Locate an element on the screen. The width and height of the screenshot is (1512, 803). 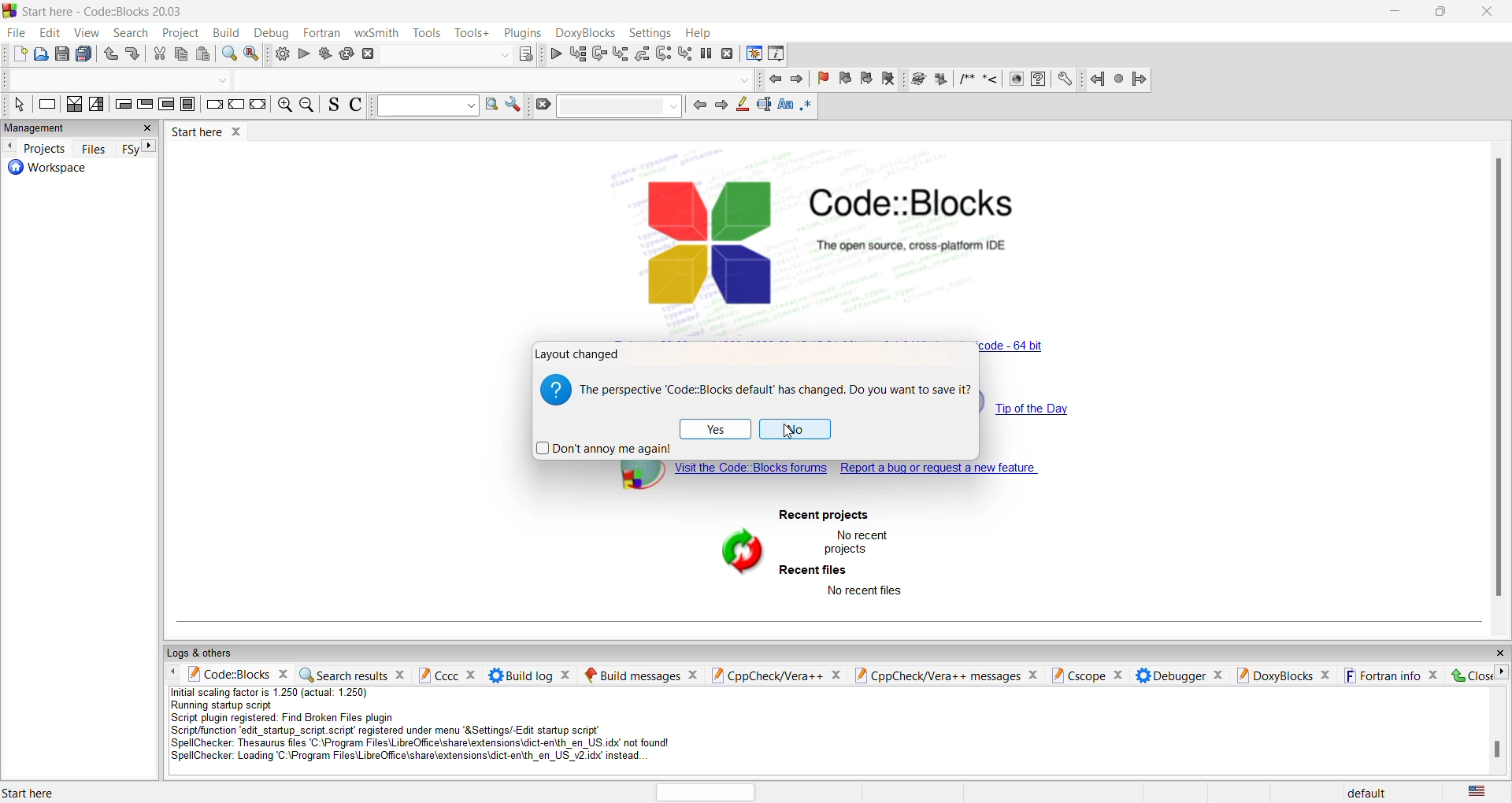
return instruction is located at coordinates (258, 105).